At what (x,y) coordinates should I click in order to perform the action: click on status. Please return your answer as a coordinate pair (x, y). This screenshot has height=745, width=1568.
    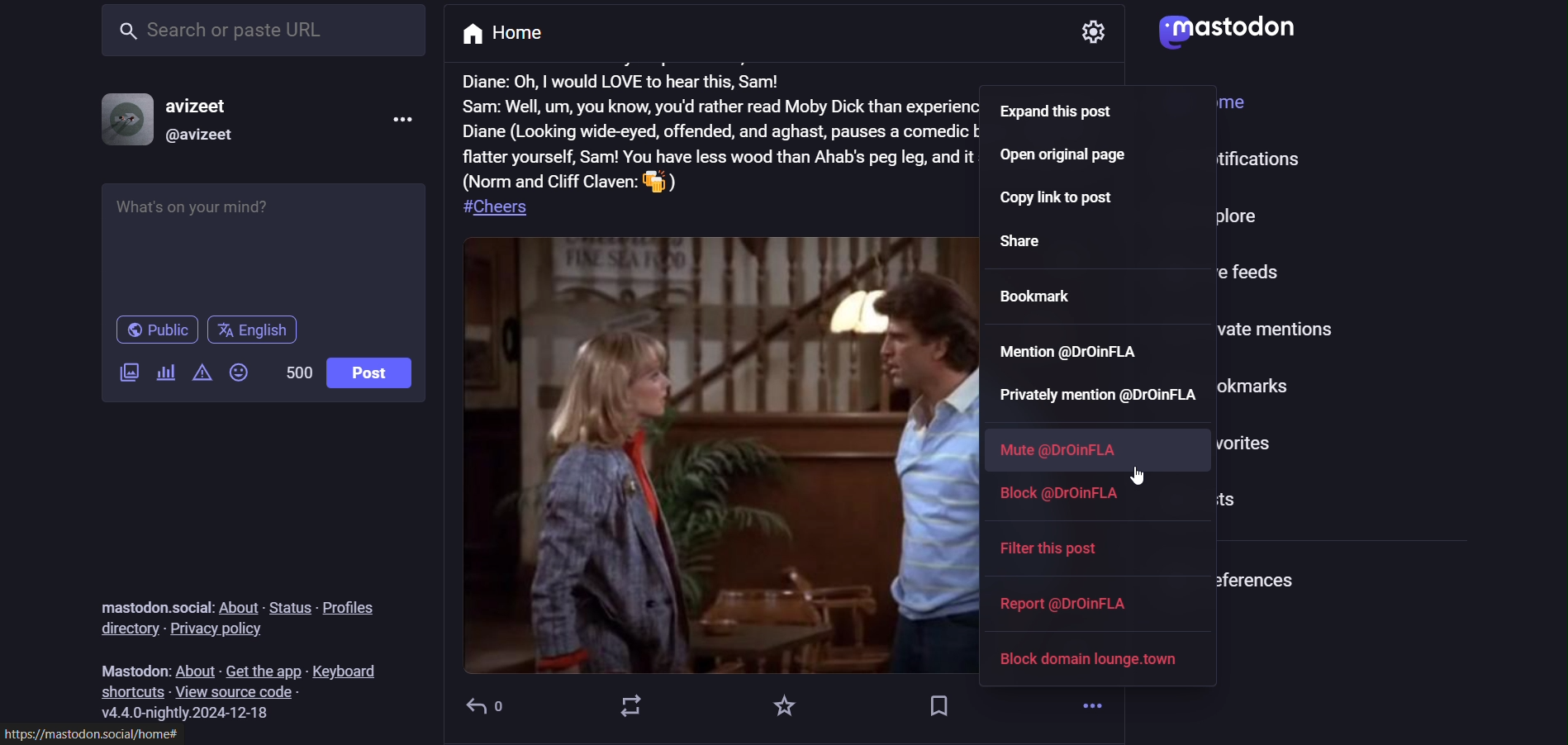
    Looking at the image, I should click on (291, 607).